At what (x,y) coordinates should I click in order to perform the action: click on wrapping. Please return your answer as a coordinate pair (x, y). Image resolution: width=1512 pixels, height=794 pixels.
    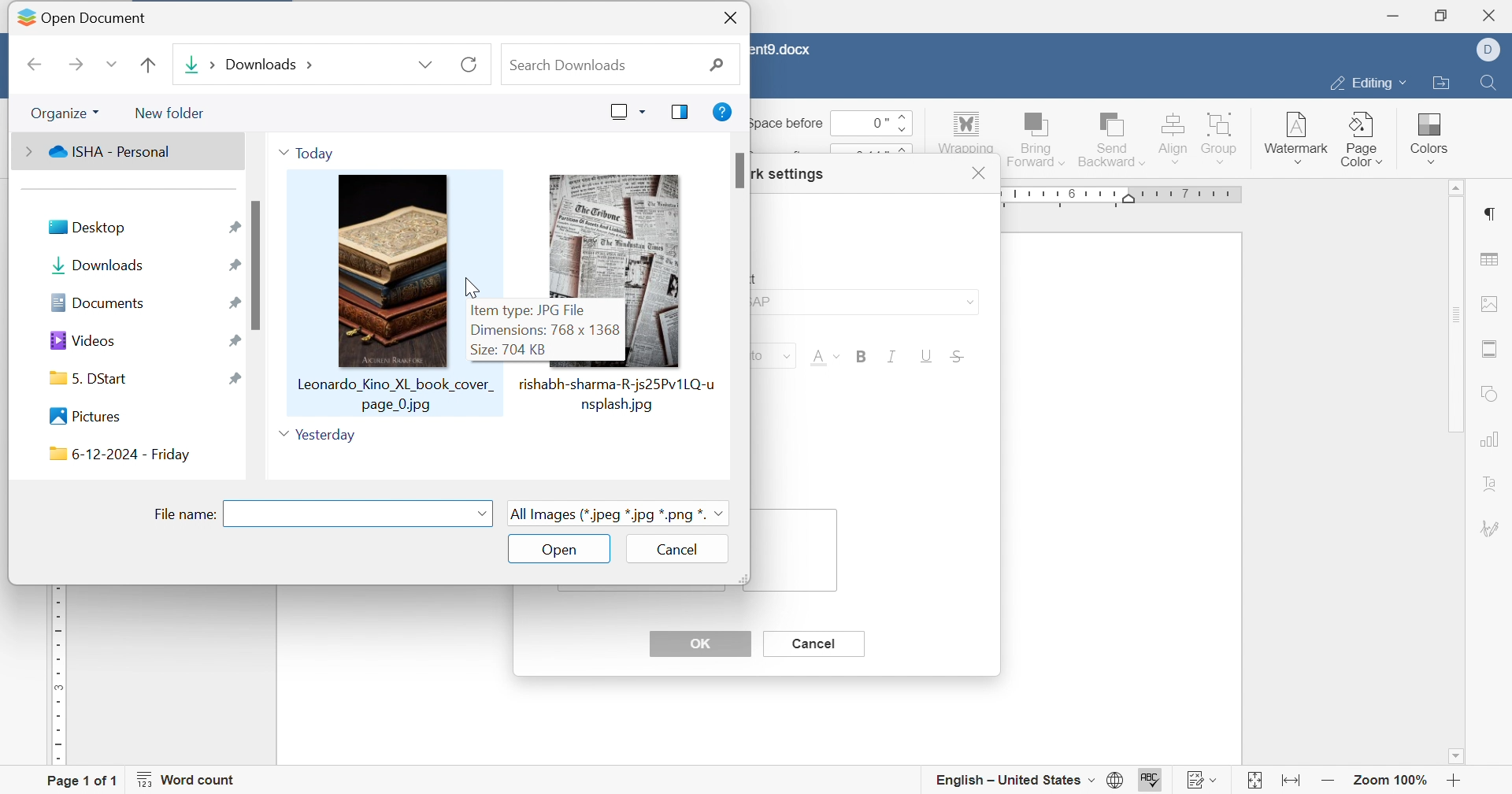
    Looking at the image, I should click on (965, 133).